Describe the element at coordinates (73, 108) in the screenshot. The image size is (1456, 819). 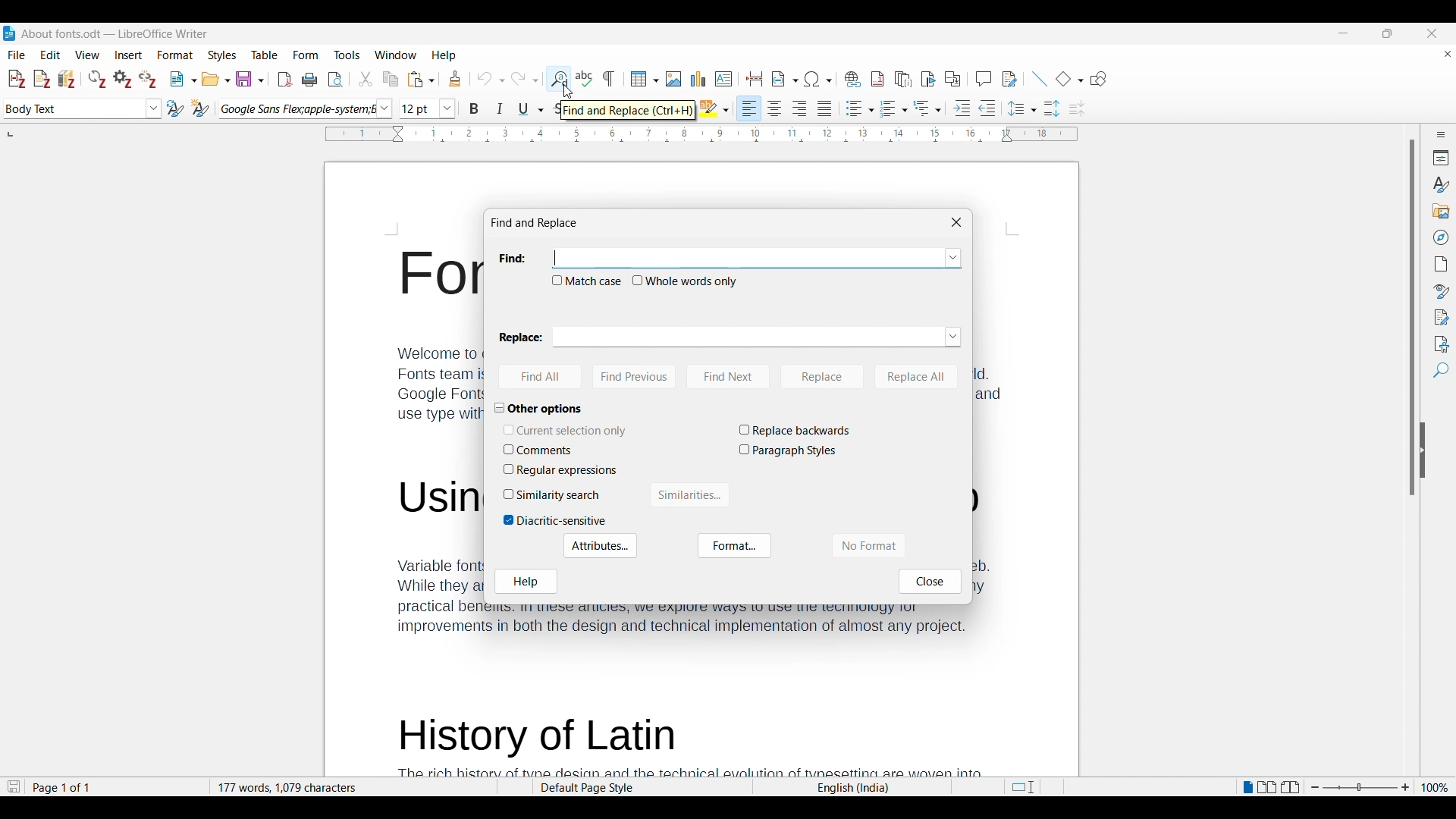
I see `Enter current paragraph style` at that location.